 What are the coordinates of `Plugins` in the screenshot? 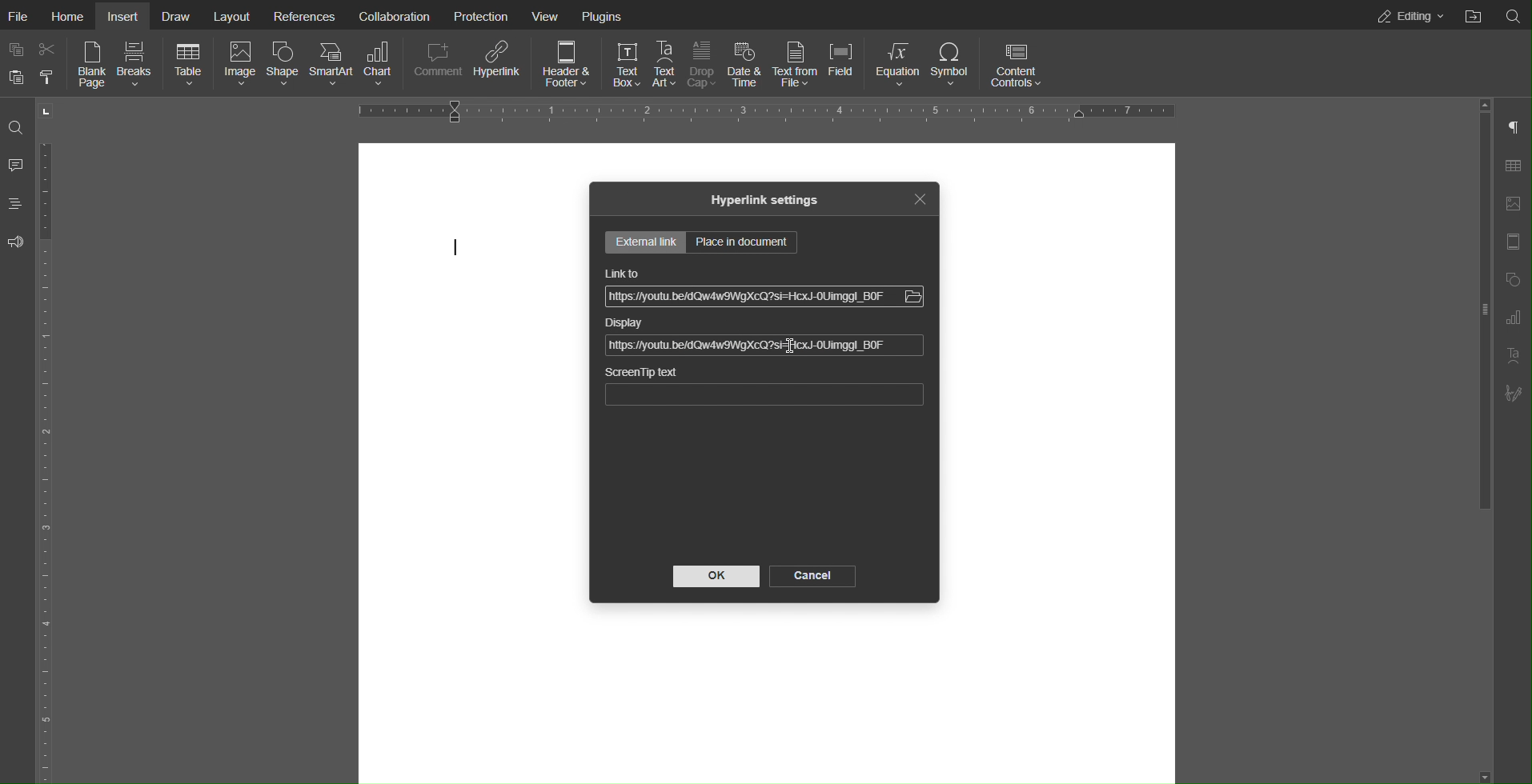 It's located at (603, 15).